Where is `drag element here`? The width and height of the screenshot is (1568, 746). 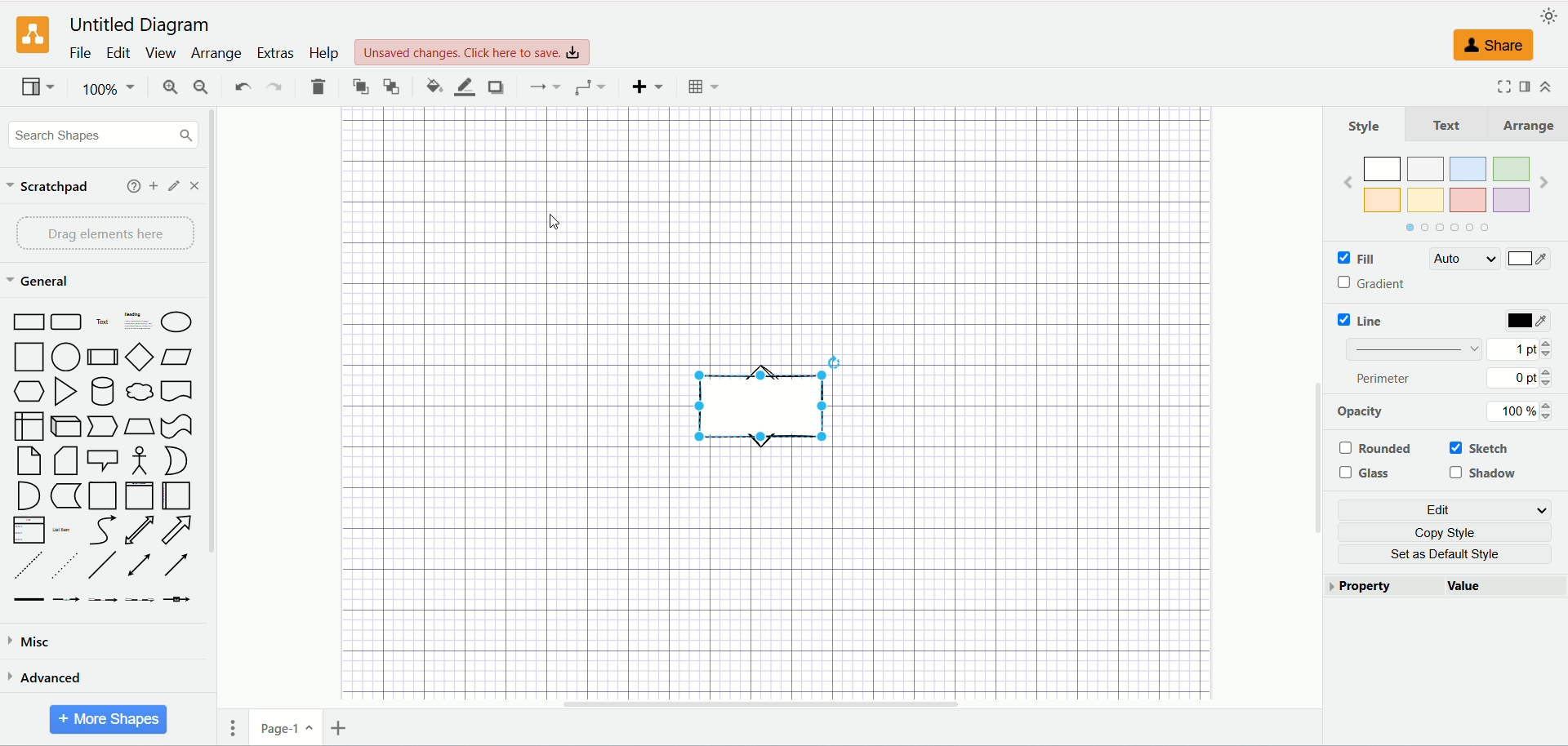 drag element here is located at coordinates (105, 233).